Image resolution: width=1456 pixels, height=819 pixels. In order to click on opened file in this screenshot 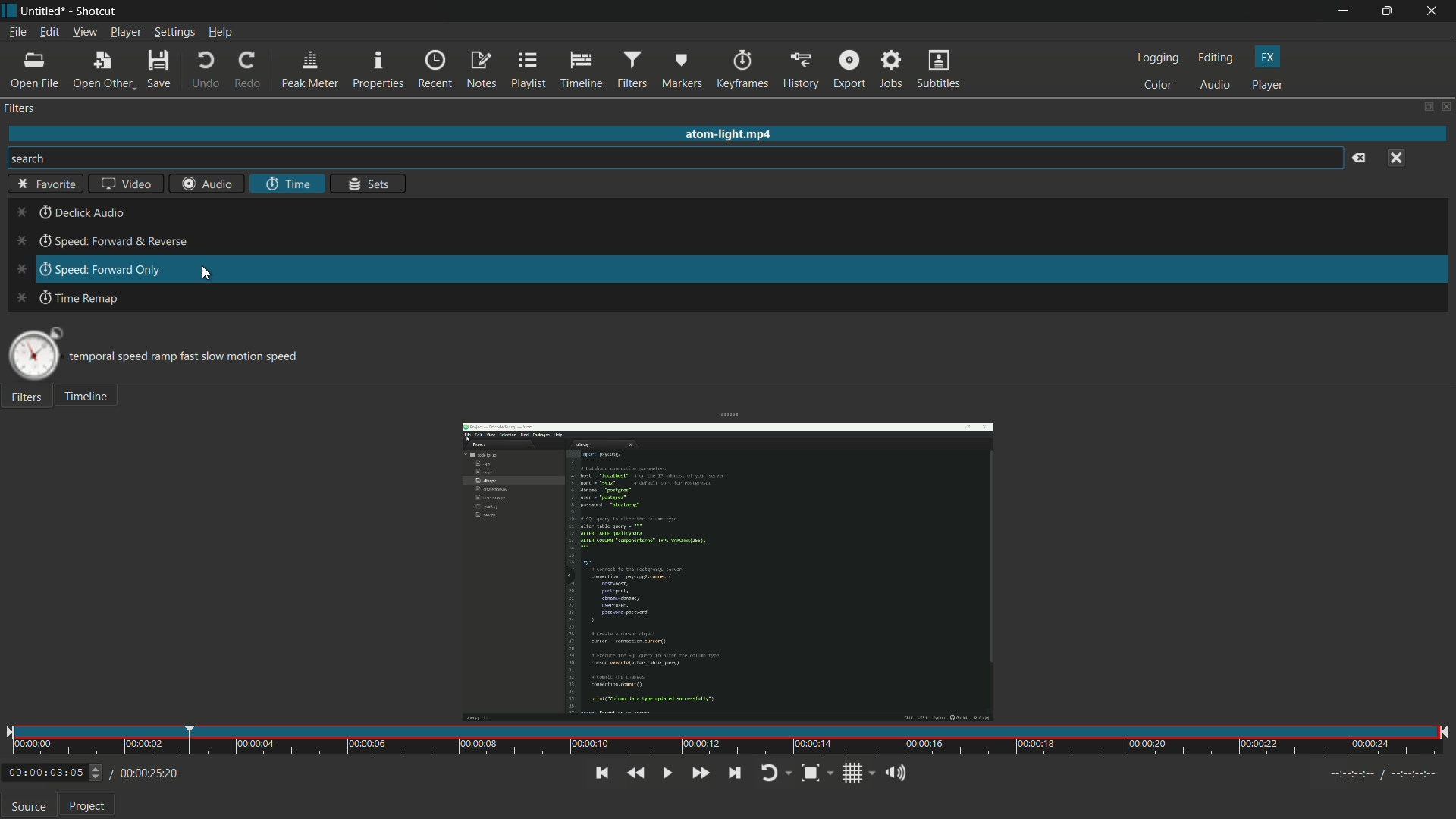, I will do `click(724, 570)`.